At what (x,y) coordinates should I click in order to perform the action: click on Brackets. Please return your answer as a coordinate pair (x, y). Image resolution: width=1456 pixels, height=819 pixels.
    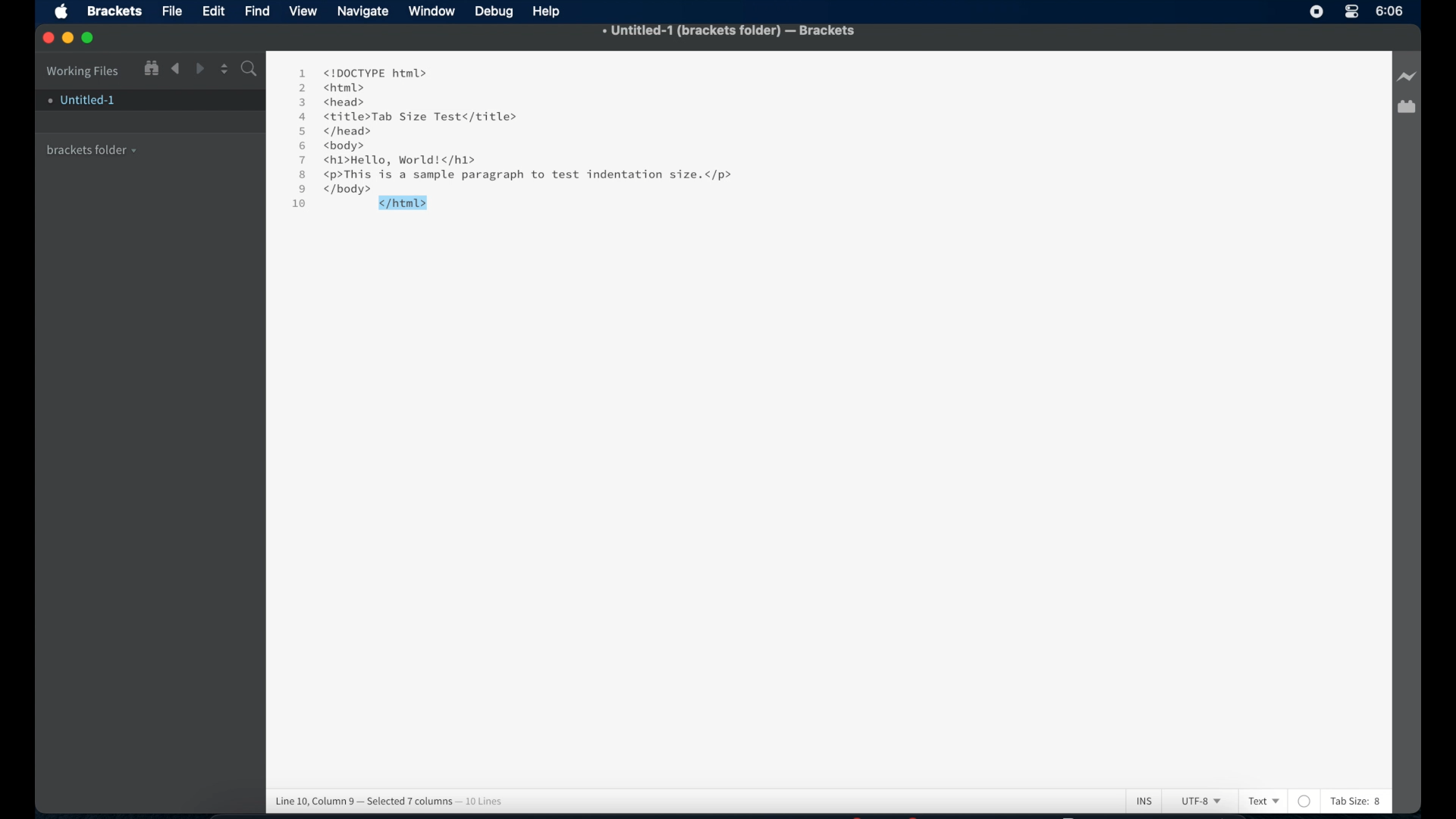
    Looking at the image, I should click on (113, 10).